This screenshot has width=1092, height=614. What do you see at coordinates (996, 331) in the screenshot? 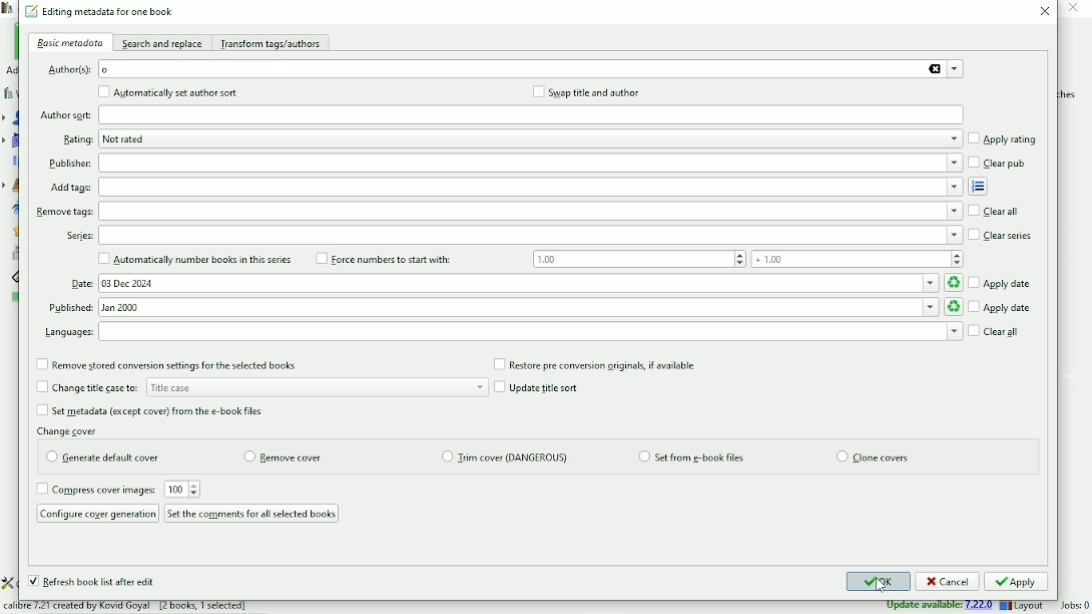
I see `Clear all` at bounding box center [996, 331].